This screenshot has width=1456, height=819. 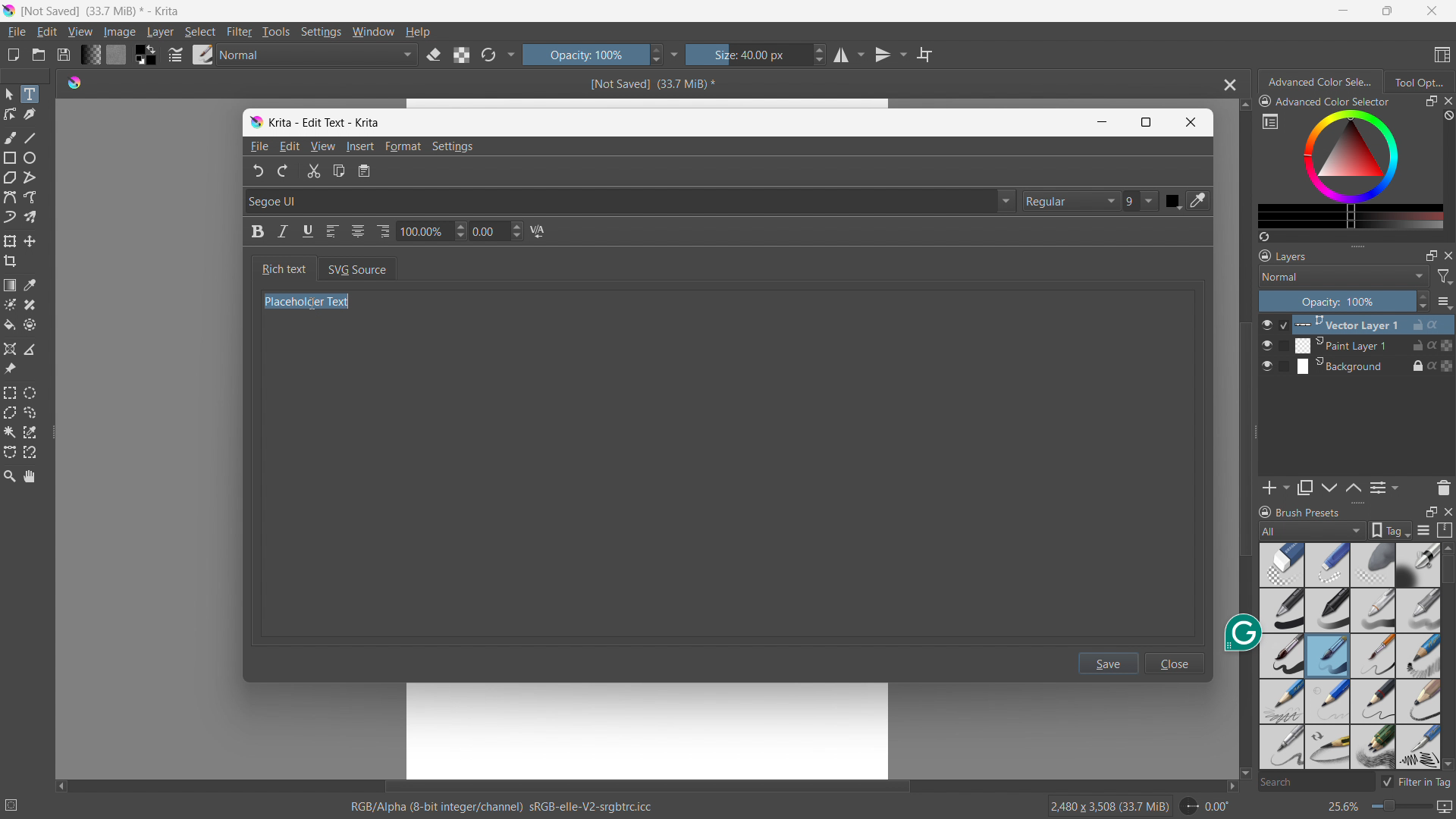 I want to click on view, so click(x=80, y=32).